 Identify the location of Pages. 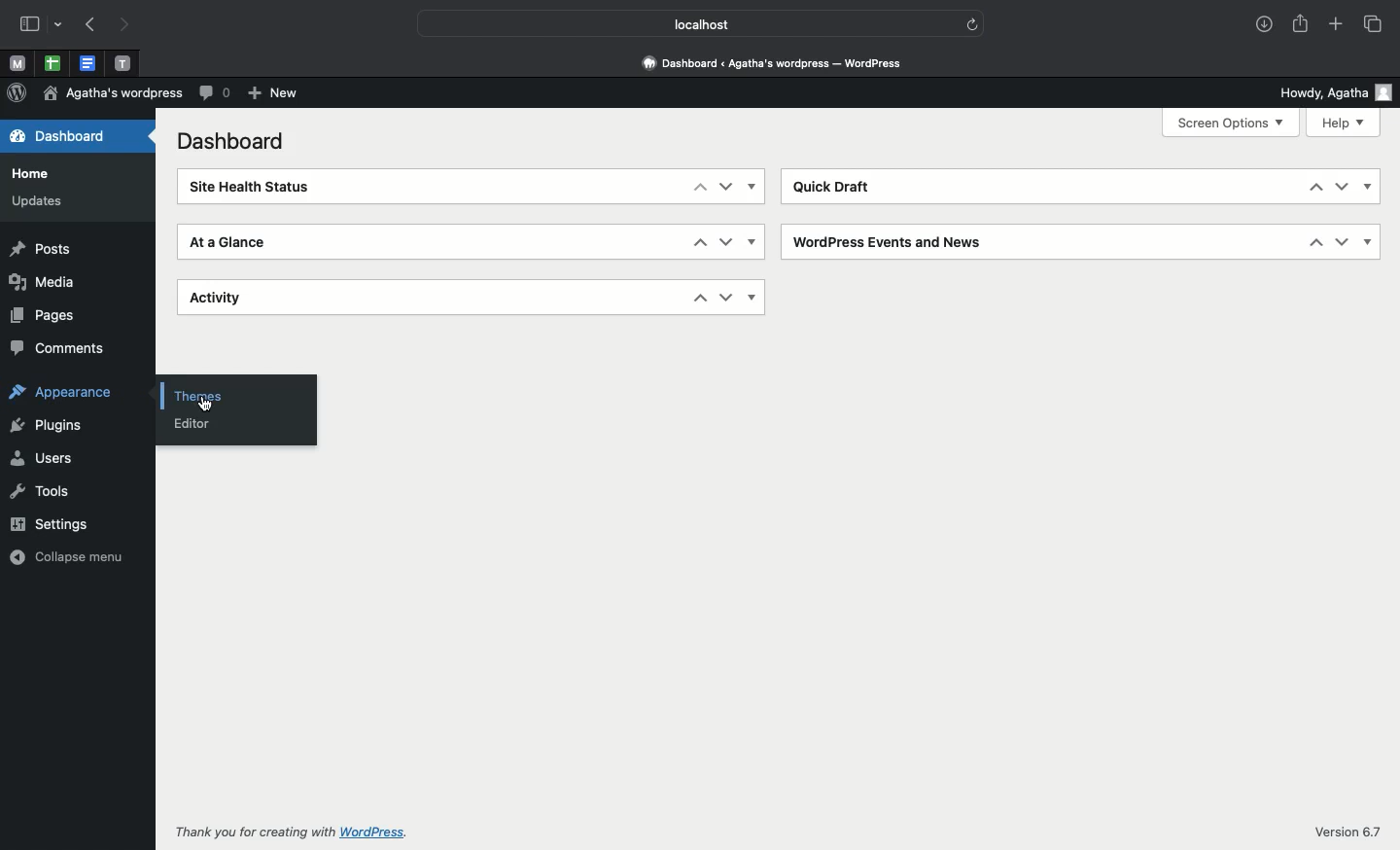
(52, 316).